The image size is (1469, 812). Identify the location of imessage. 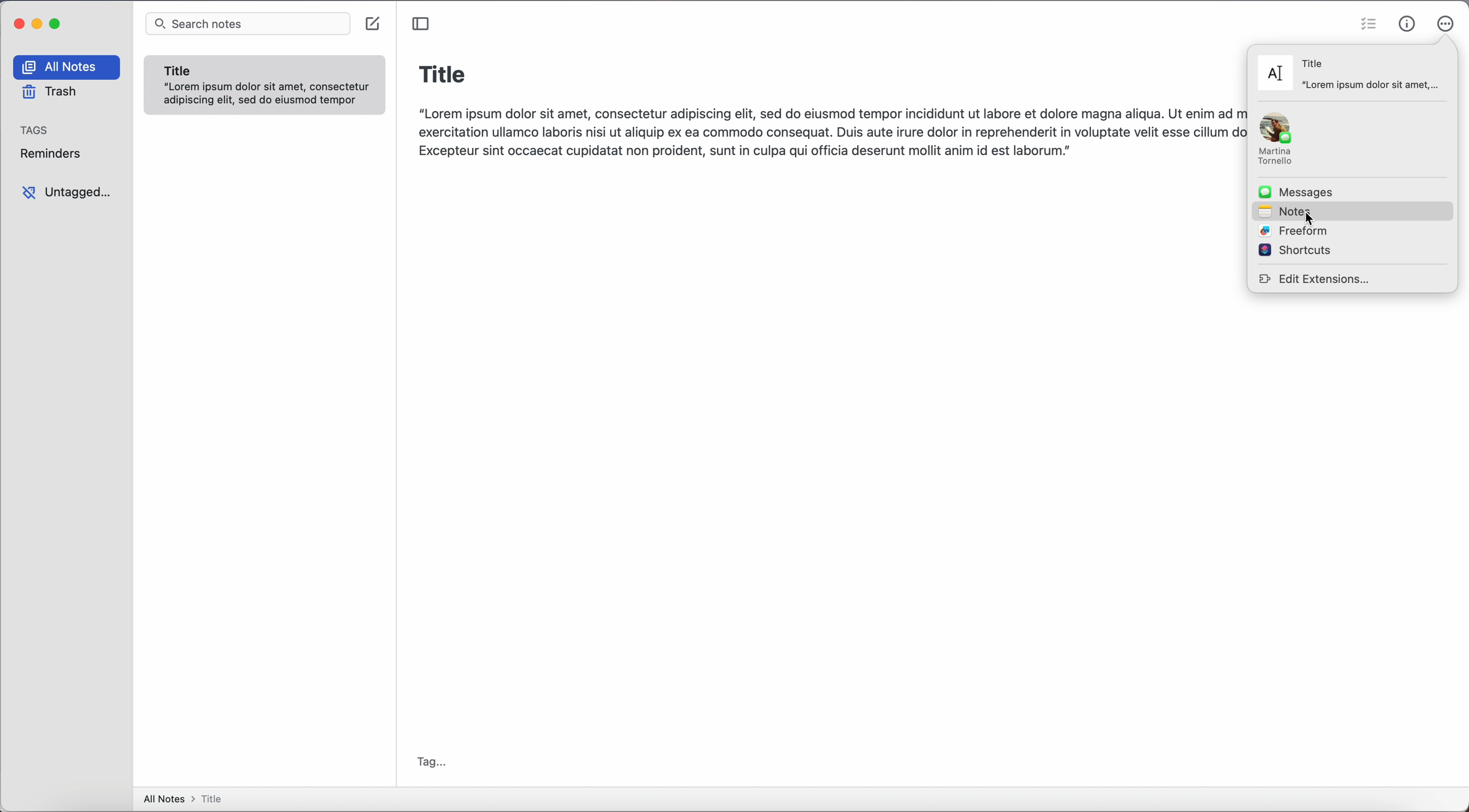
(1279, 140).